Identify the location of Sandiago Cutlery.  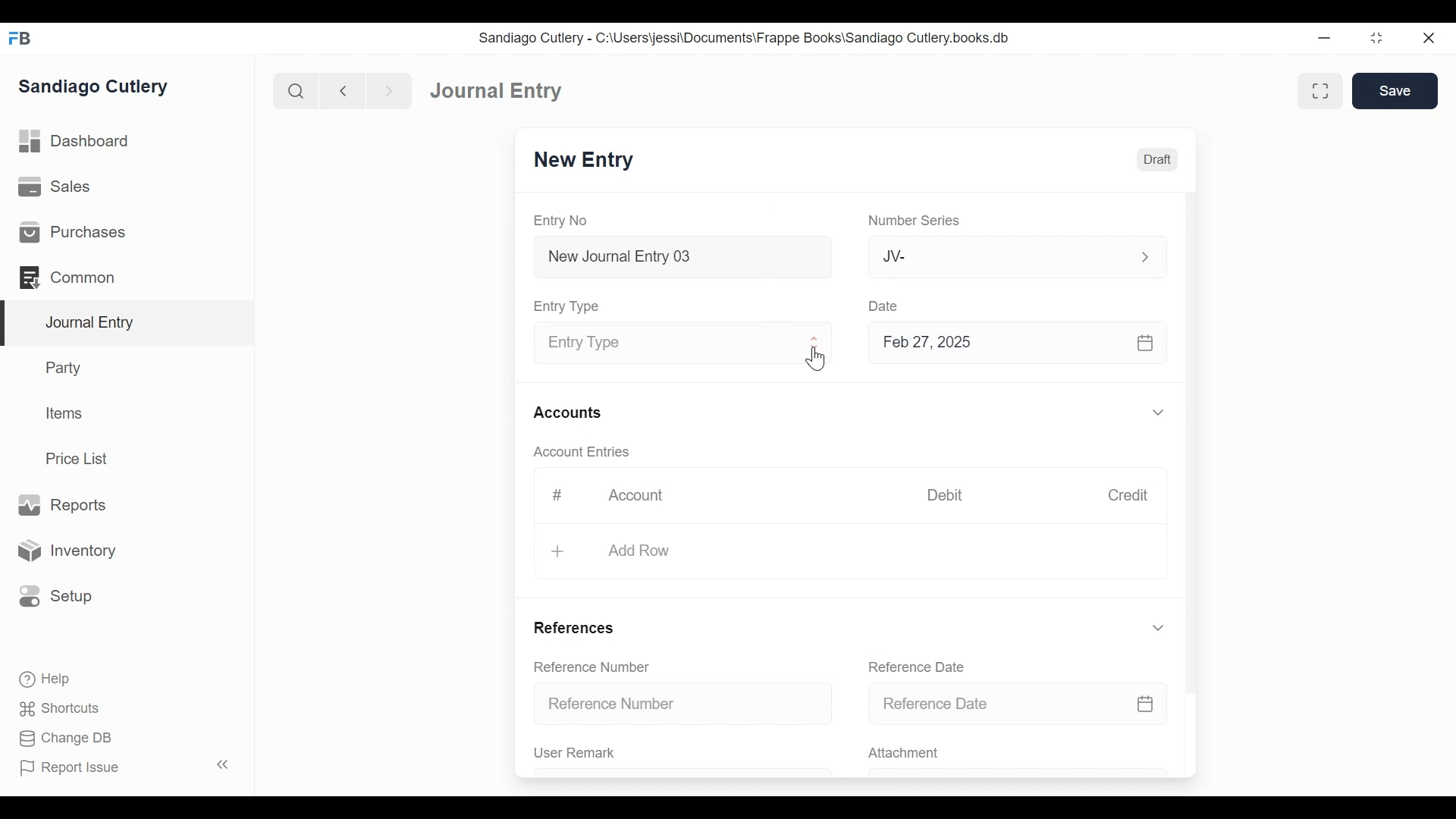
(96, 88).